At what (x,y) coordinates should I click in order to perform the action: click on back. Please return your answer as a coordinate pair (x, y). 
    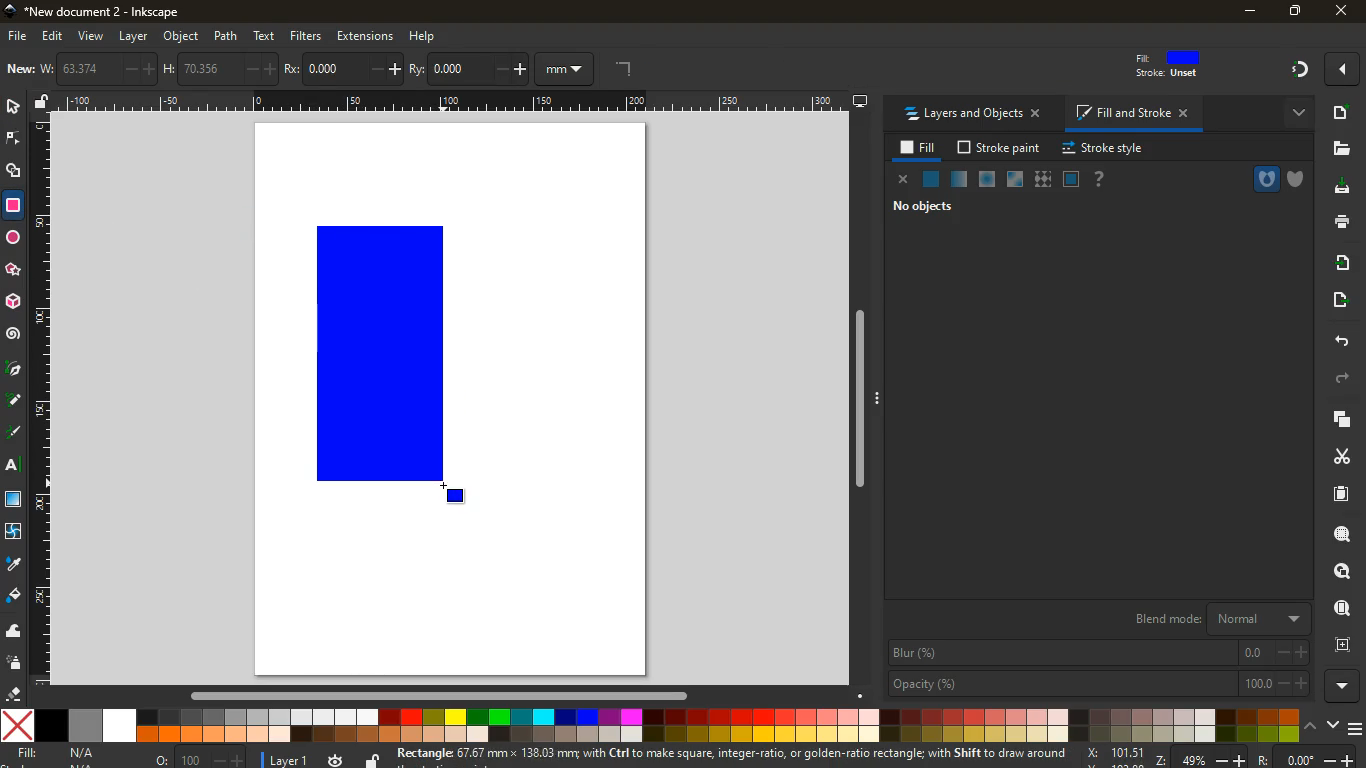
    Looking at the image, I should click on (1340, 338).